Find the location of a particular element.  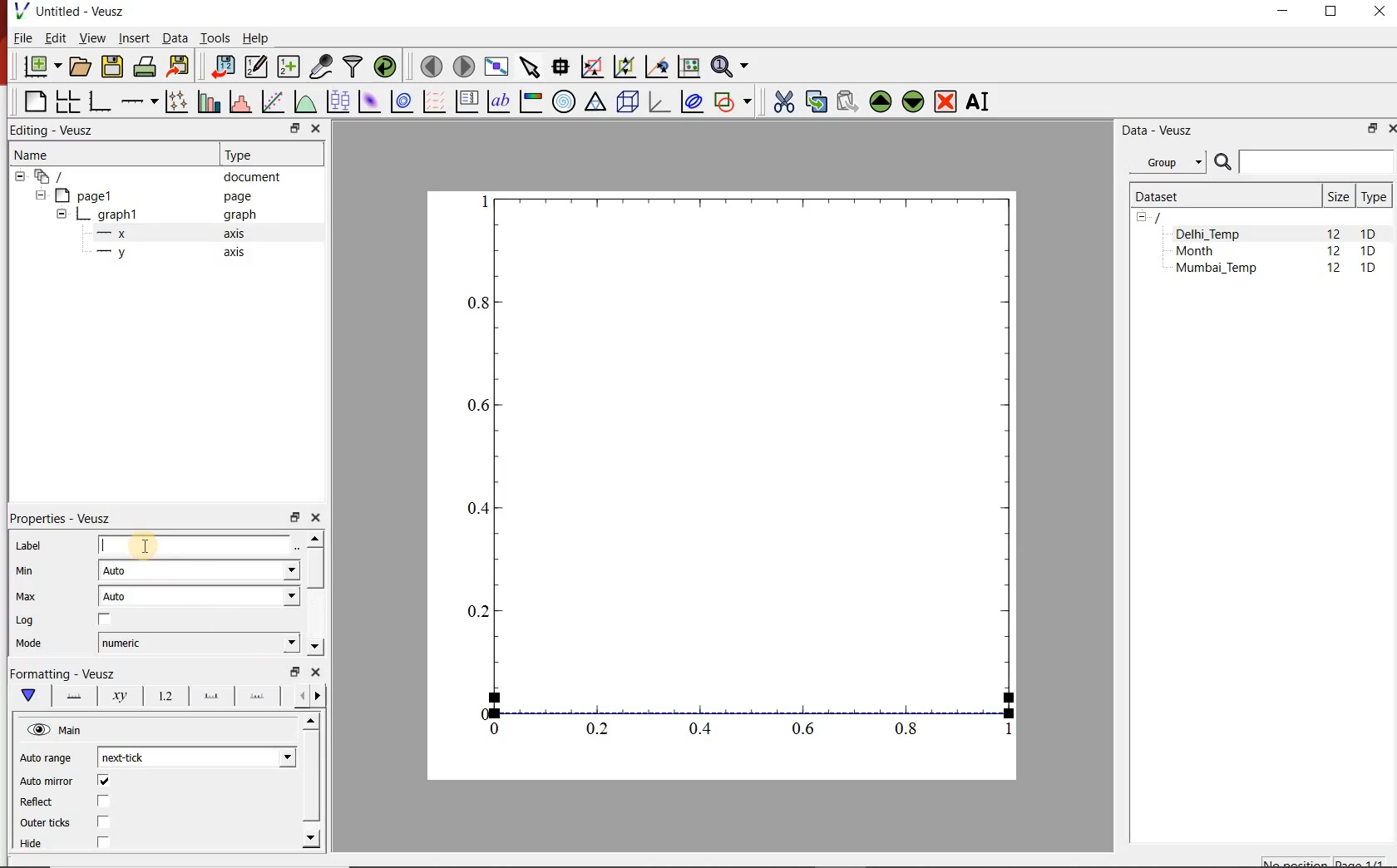

Auto mirror is located at coordinates (47, 782).